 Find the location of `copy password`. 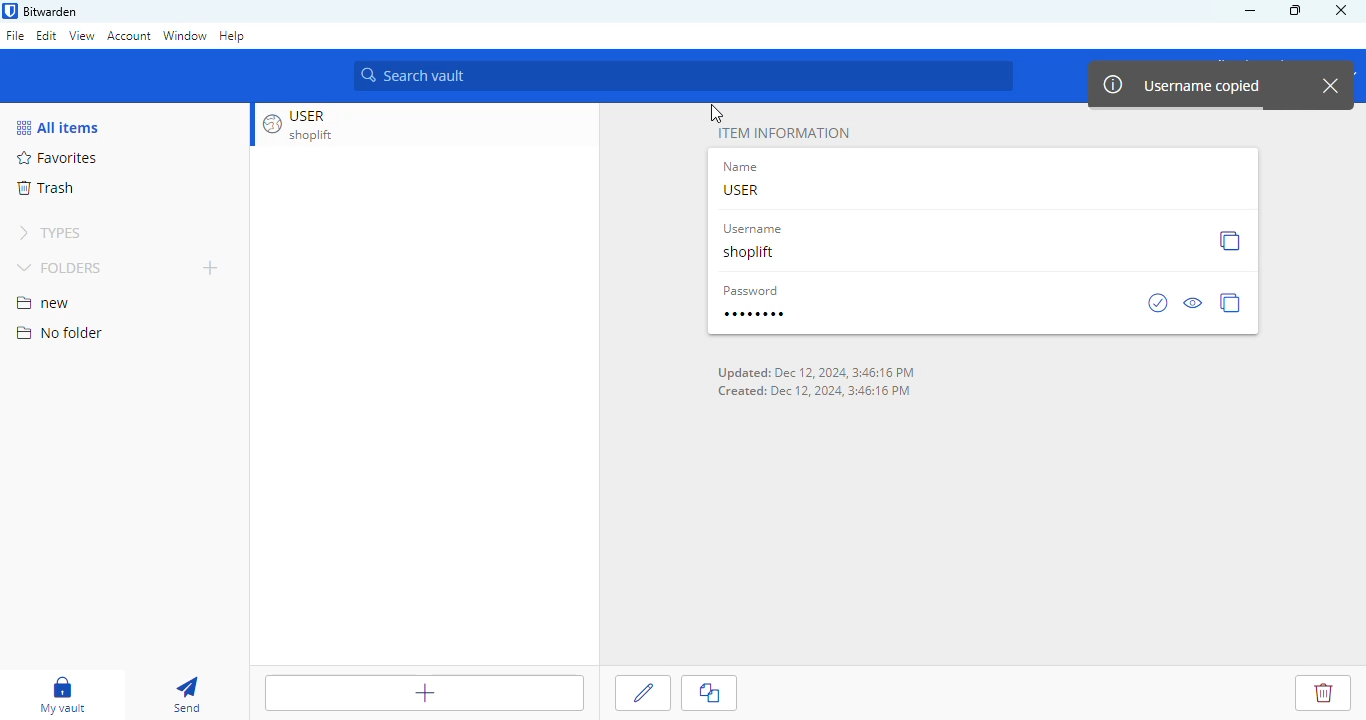

copy password is located at coordinates (1229, 302).